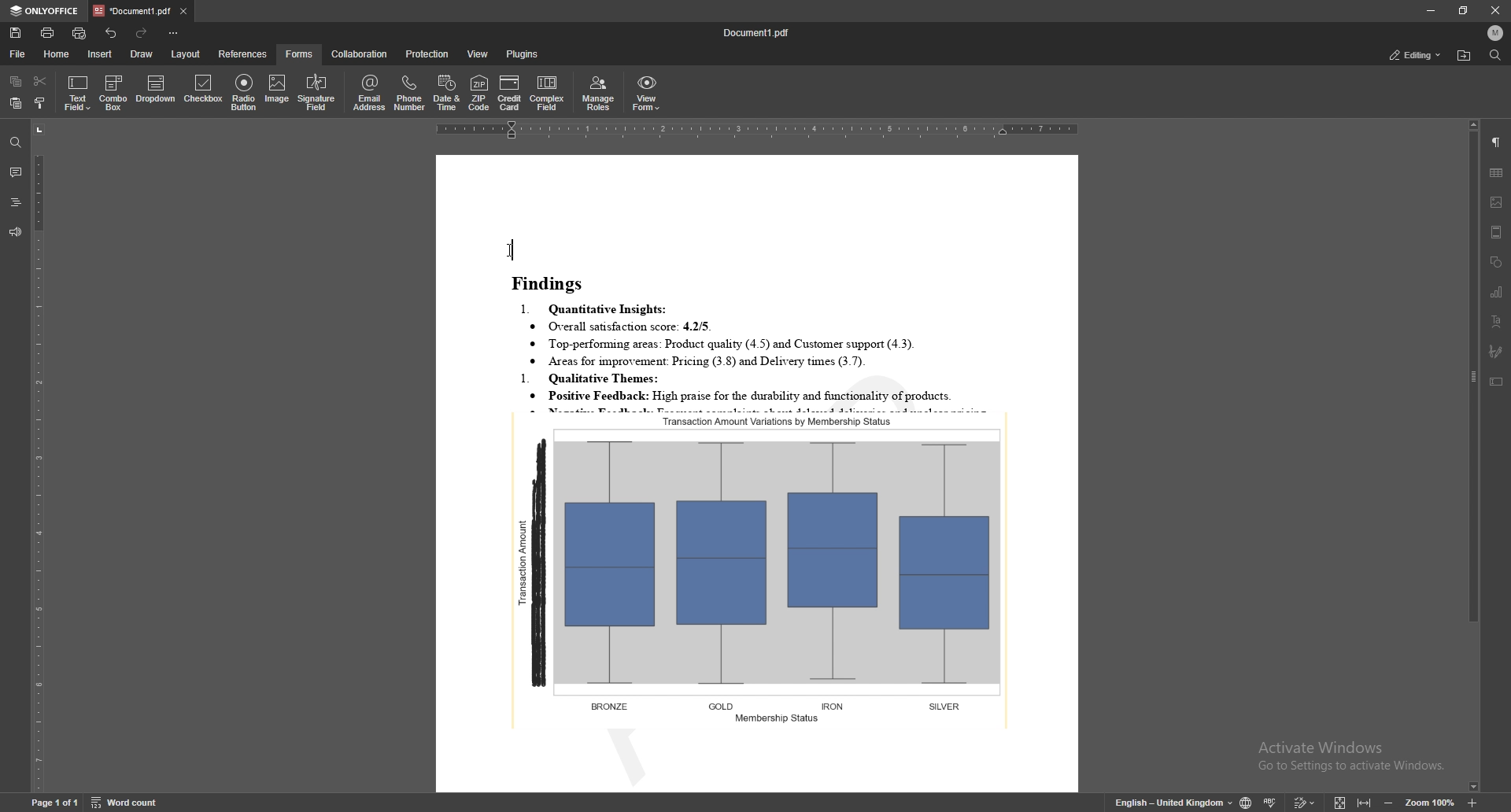 The image size is (1511, 812). What do you see at coordinates (511, 93) in the screenshot?
I see `credit card` at bounding box center [511, 93].